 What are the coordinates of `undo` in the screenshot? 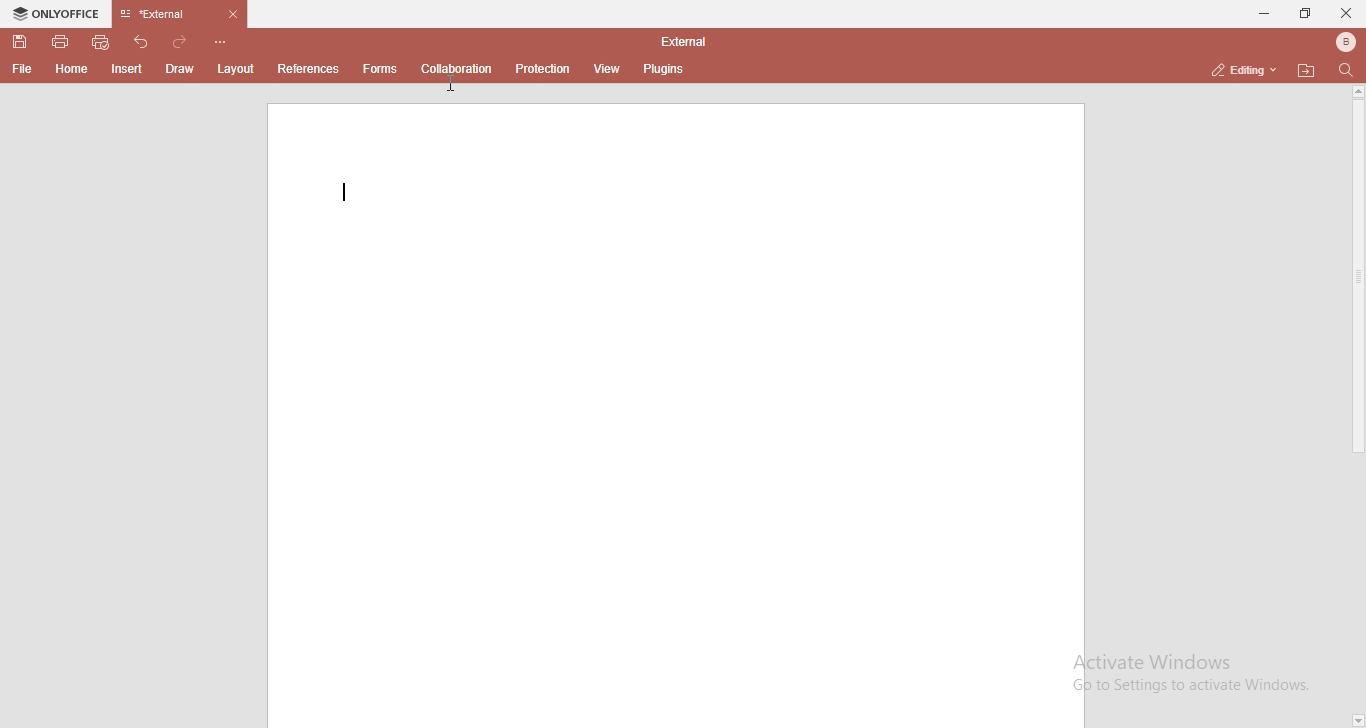 It's located at (141, 42).